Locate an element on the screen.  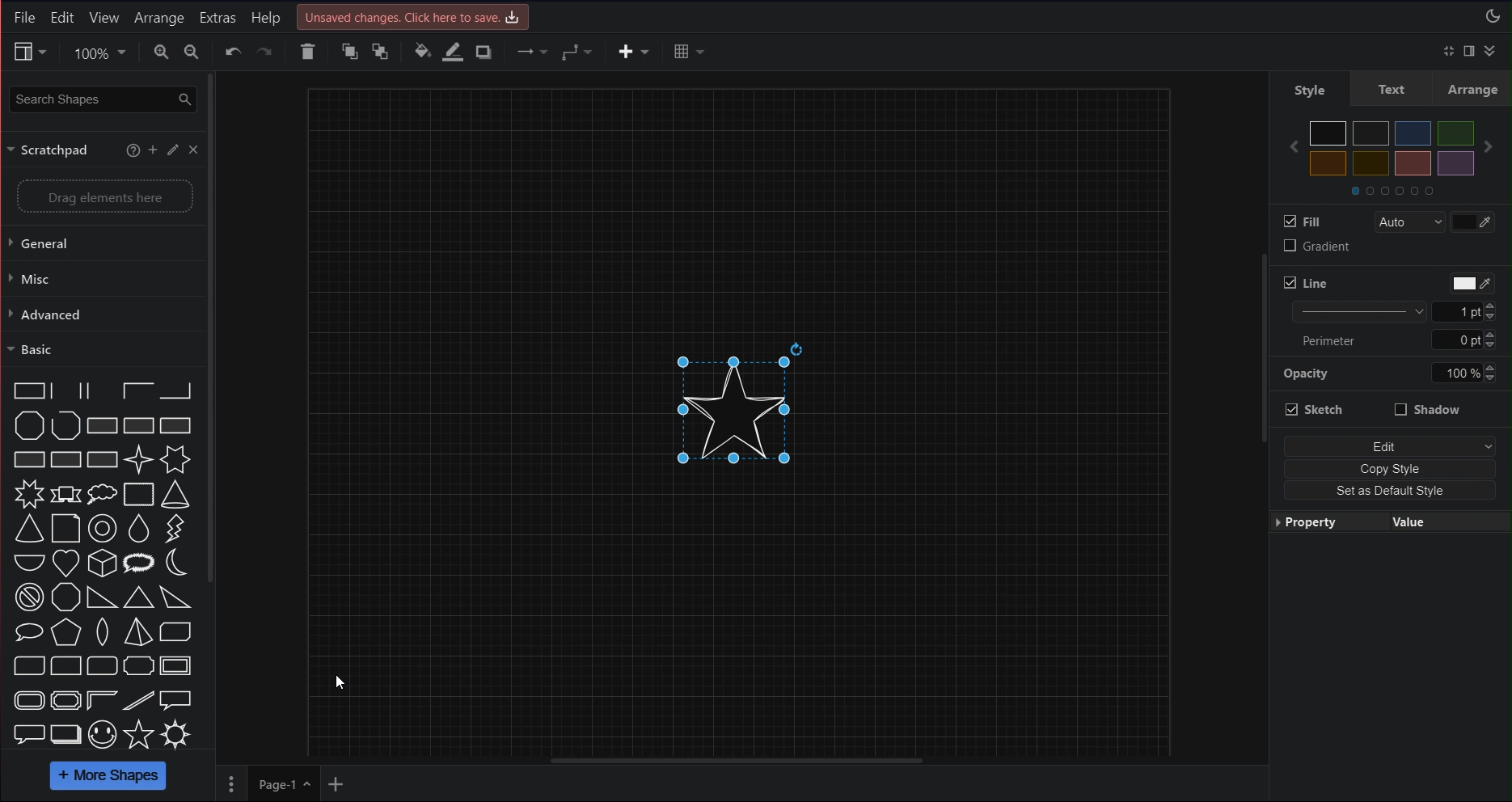
partial rectangle is located at coordinates (28, 390).